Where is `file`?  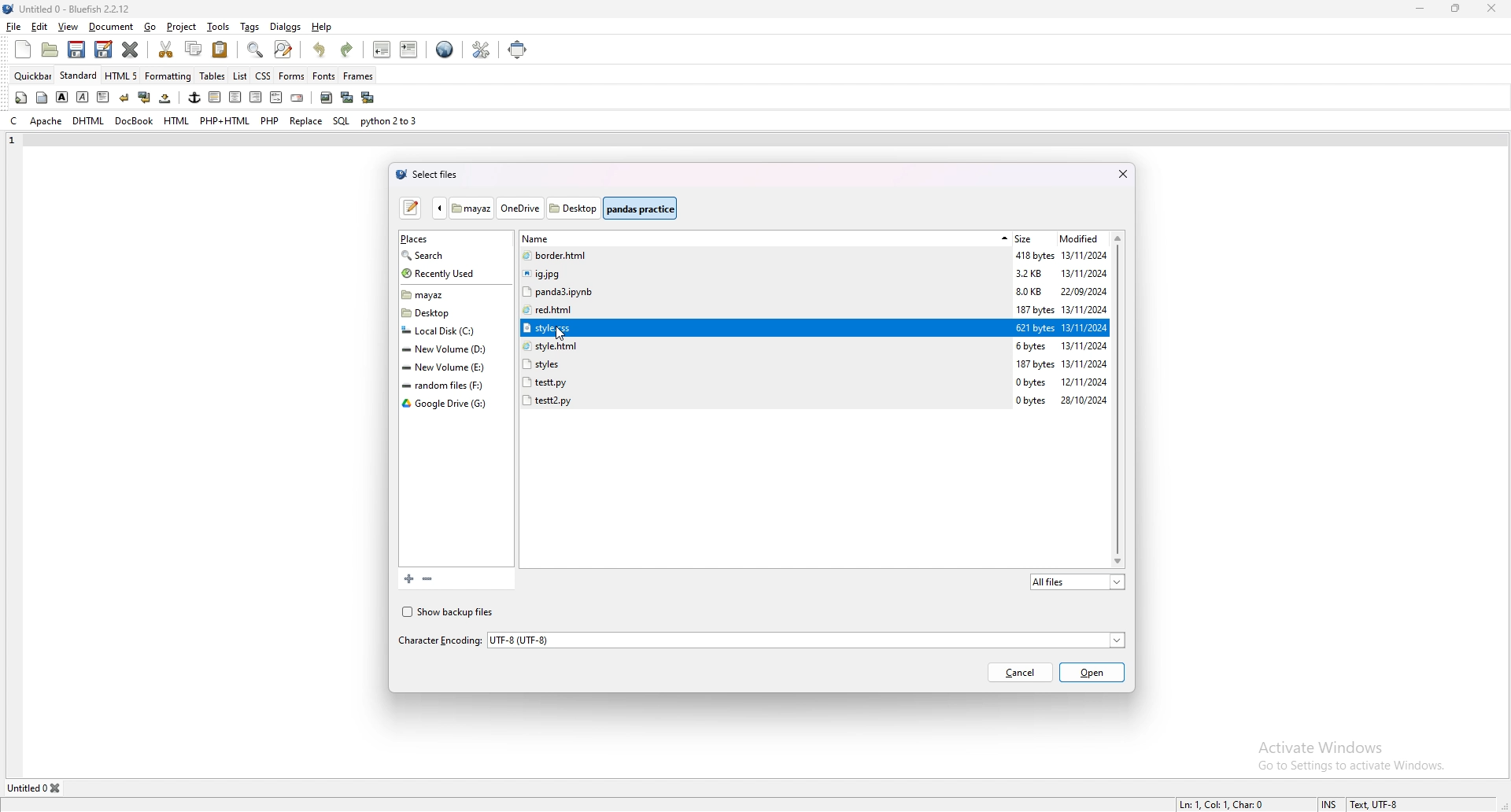 file is located at coordinates (764, 399).